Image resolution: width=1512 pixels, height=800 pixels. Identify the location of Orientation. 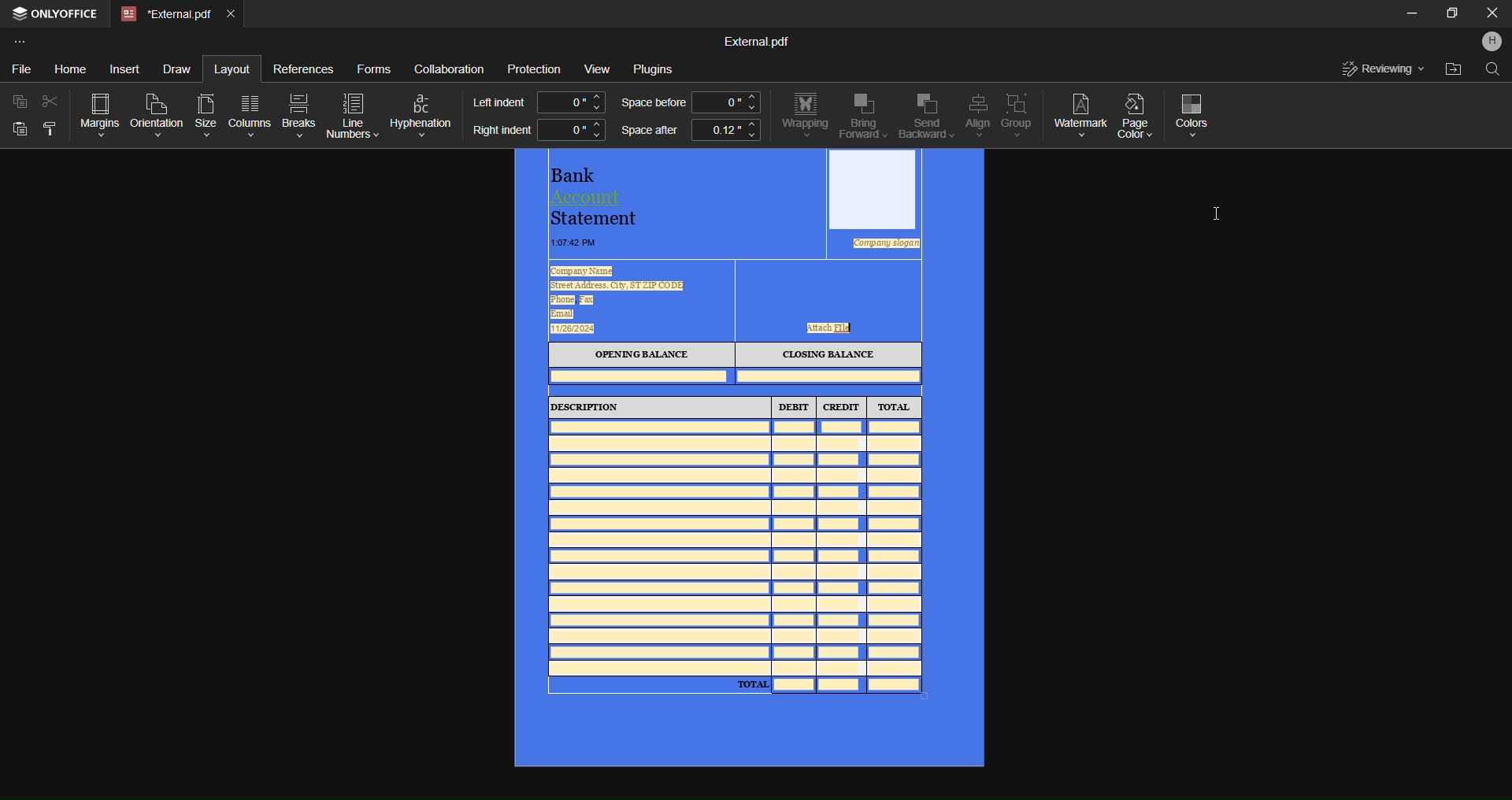
(156, 113).